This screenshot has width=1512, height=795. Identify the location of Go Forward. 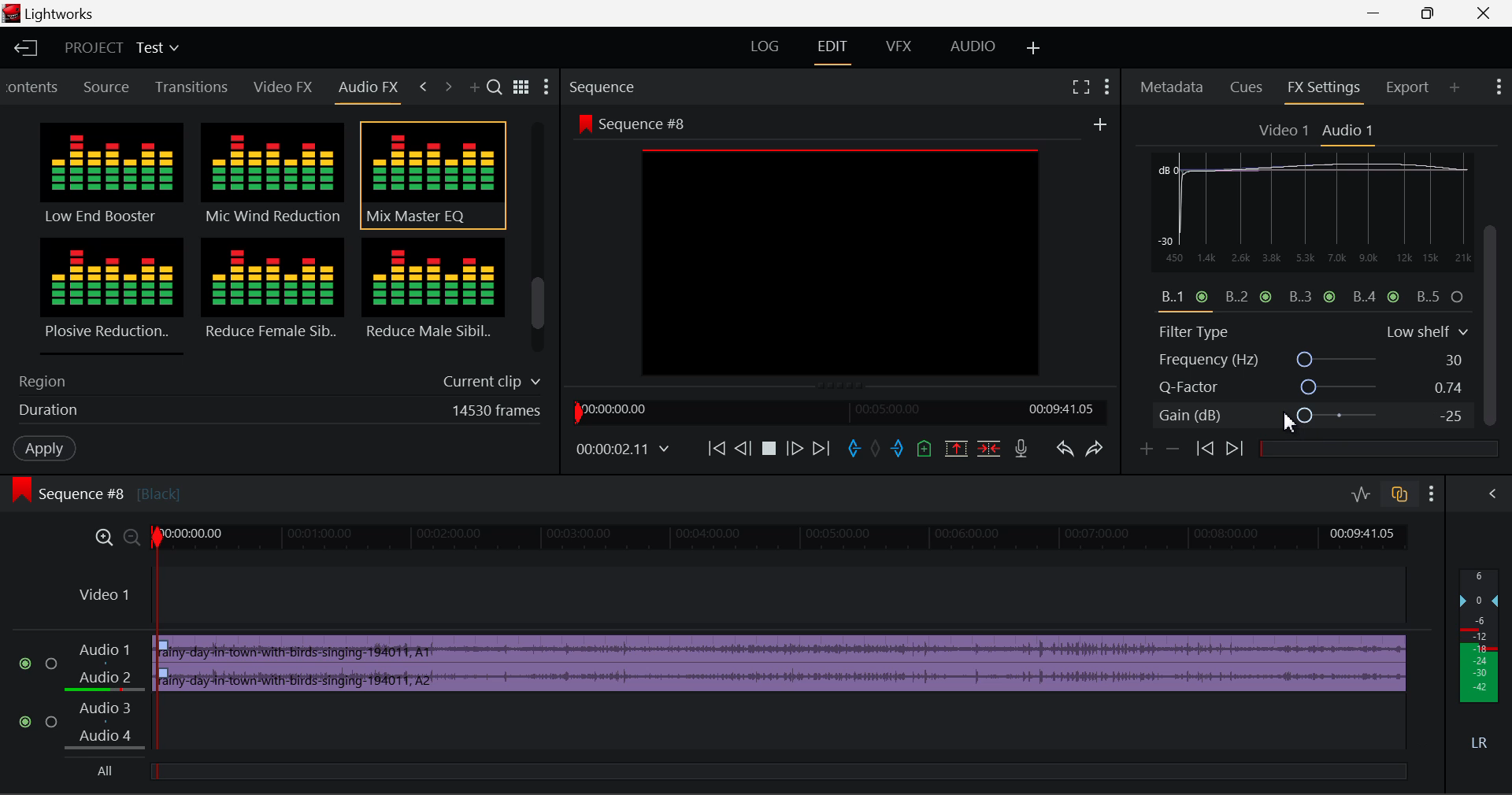
(794, 449).